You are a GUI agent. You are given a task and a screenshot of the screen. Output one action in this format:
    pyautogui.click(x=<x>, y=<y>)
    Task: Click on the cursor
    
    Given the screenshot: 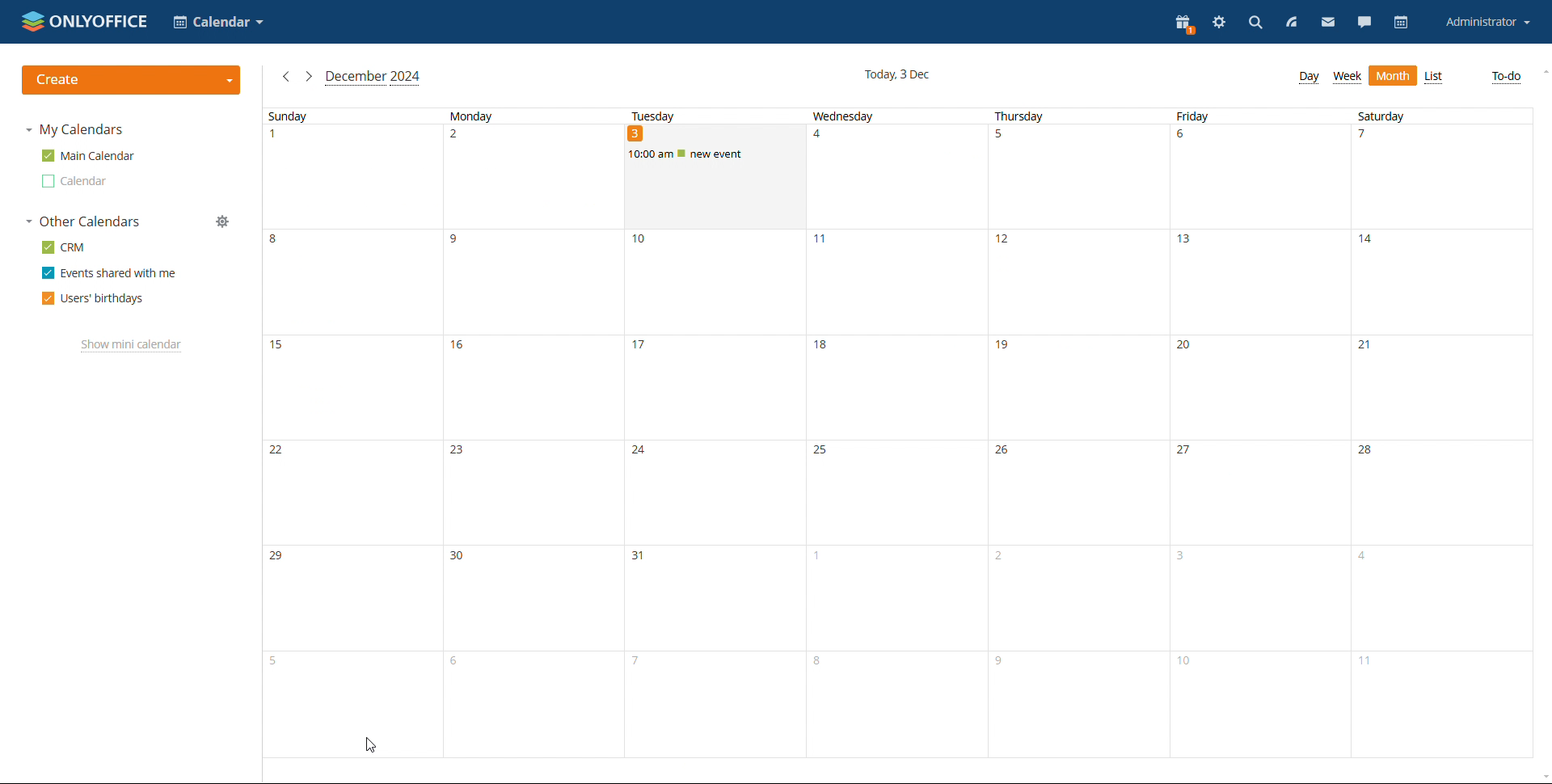 What is the action you would take?
    pyautogui.click(x=654, y=165)
    